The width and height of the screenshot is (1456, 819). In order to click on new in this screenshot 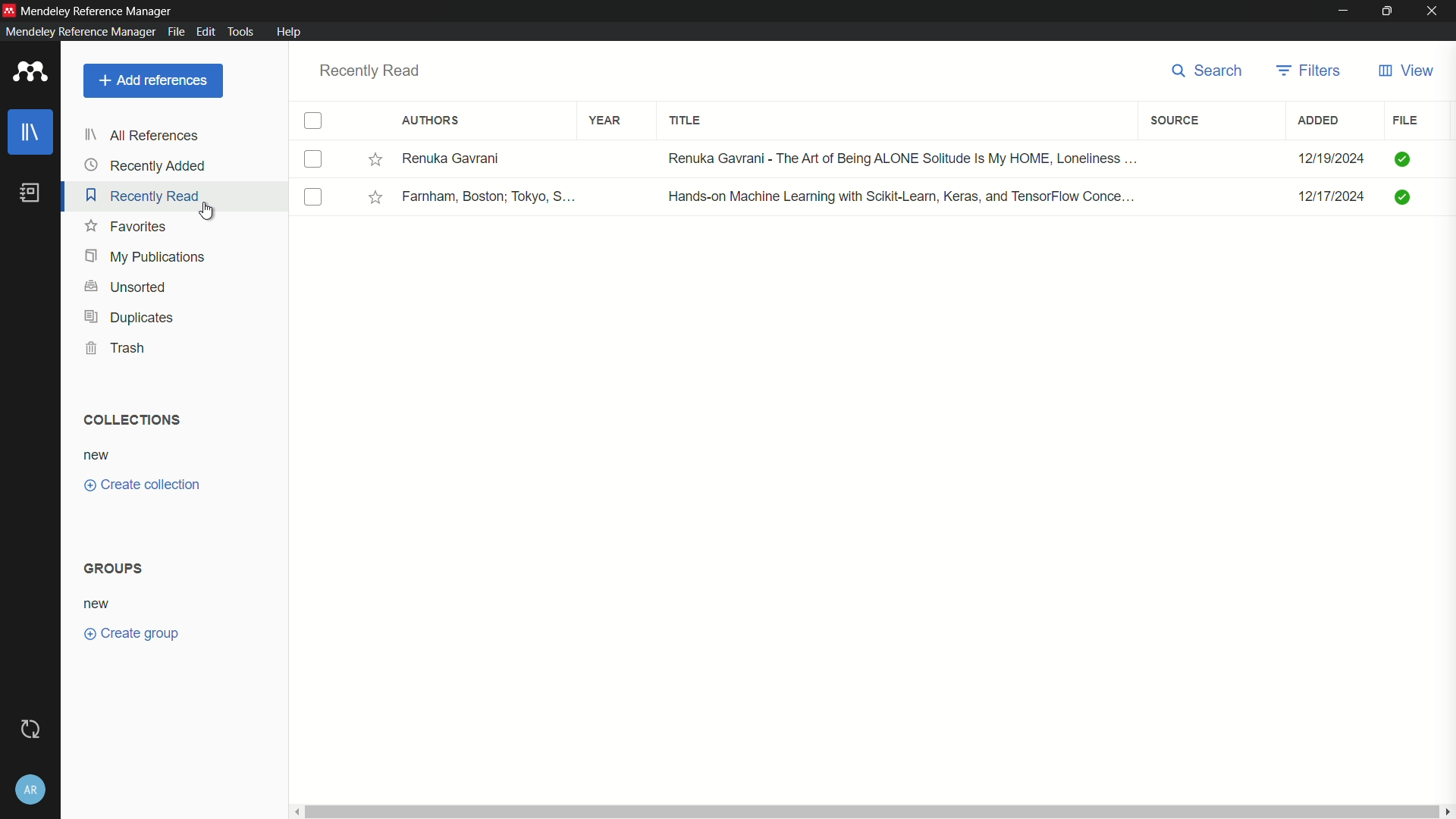, I will do `click(101, 456)`.